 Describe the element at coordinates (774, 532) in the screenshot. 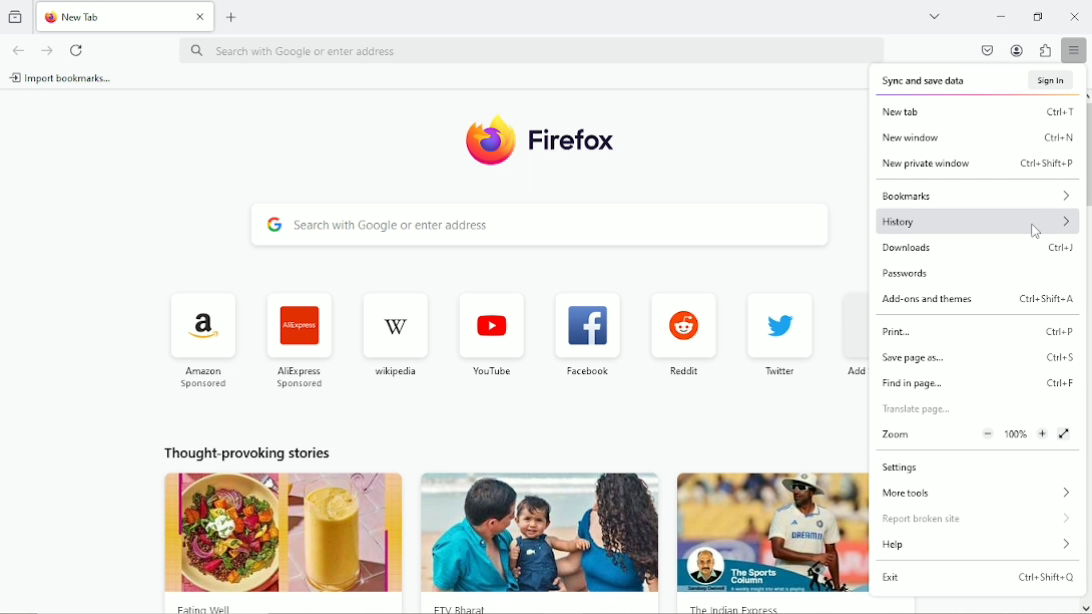

I see `image` at that location.